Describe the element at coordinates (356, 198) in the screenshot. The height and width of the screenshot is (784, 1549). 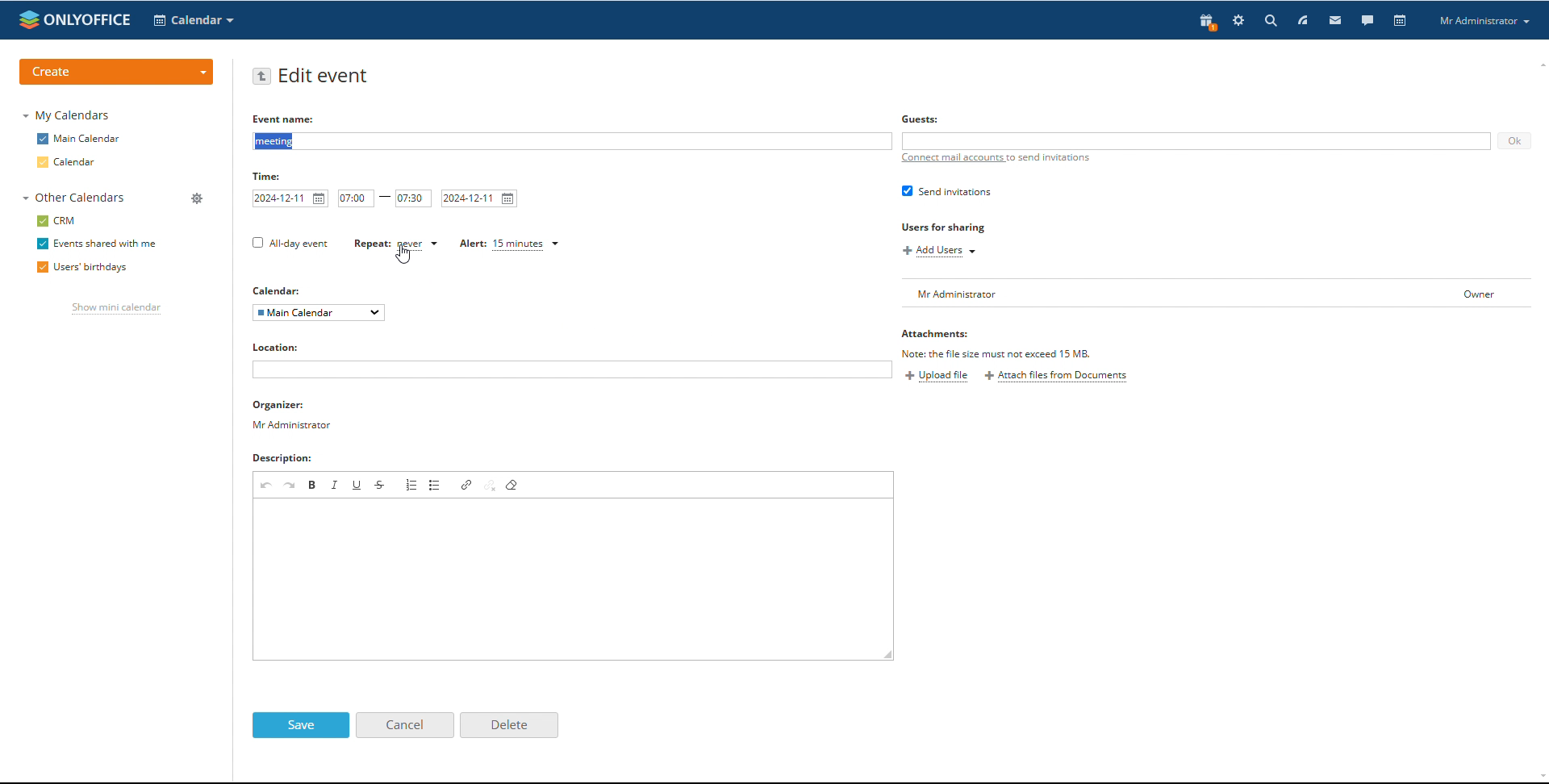
I see `start time` at that location.